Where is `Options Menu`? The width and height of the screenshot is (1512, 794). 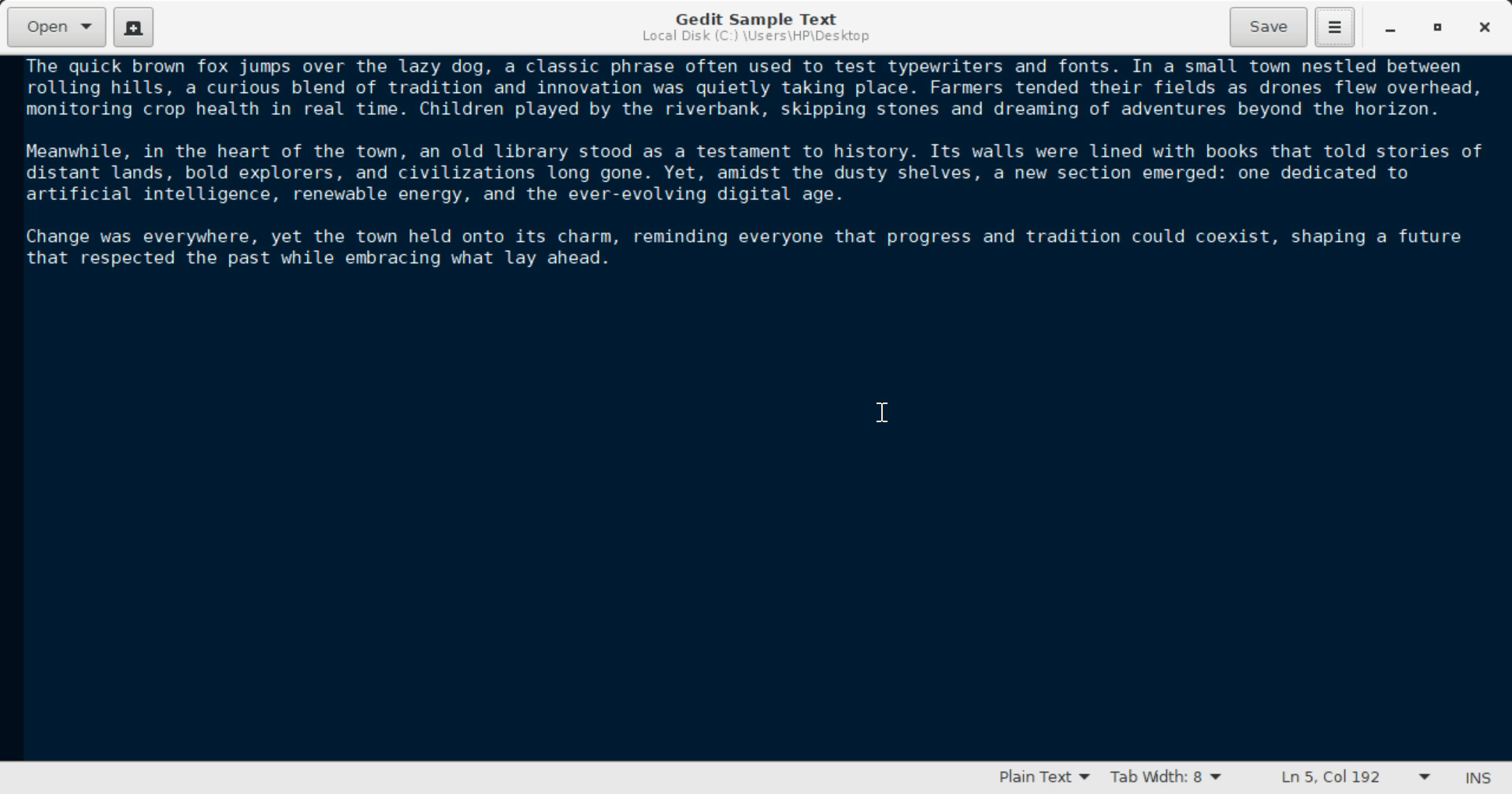 Options Menu is located at coordinates (1333, 26).